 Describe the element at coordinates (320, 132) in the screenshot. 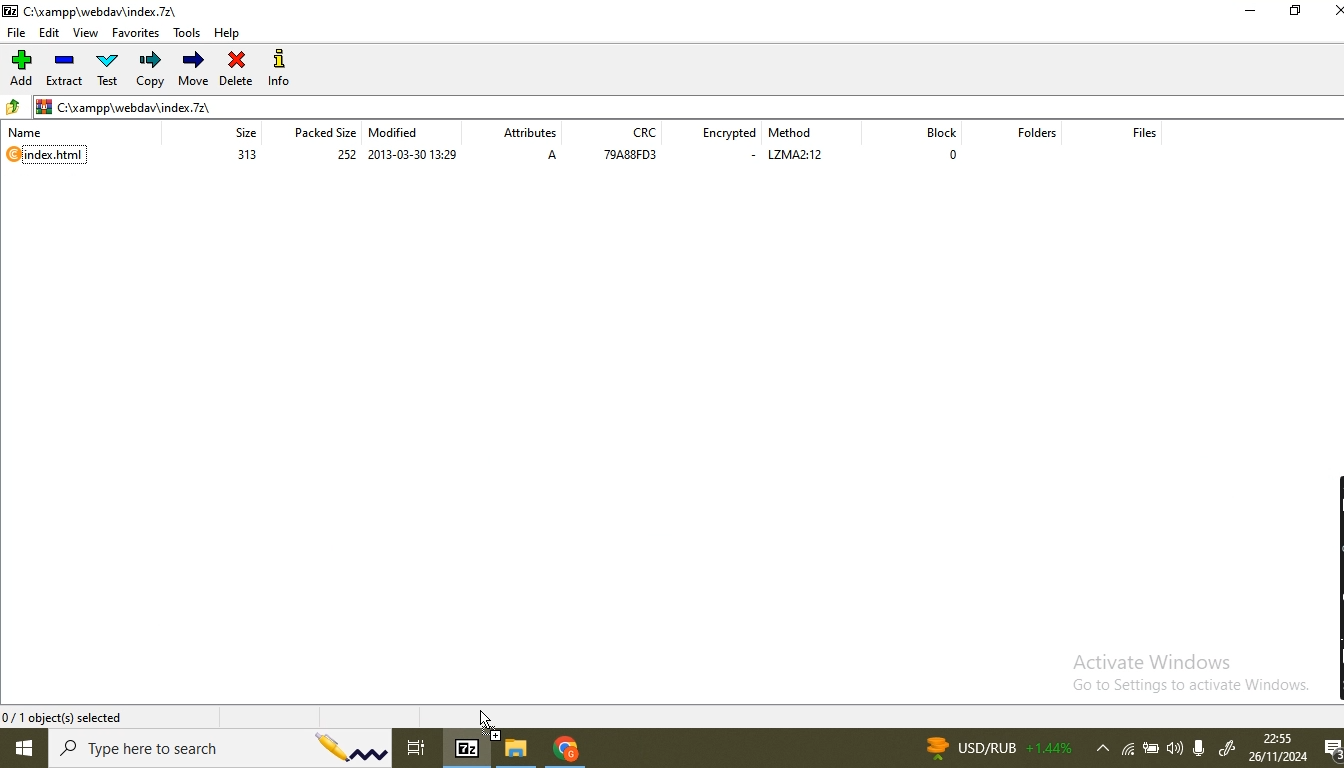

I see `packed size` at that location.